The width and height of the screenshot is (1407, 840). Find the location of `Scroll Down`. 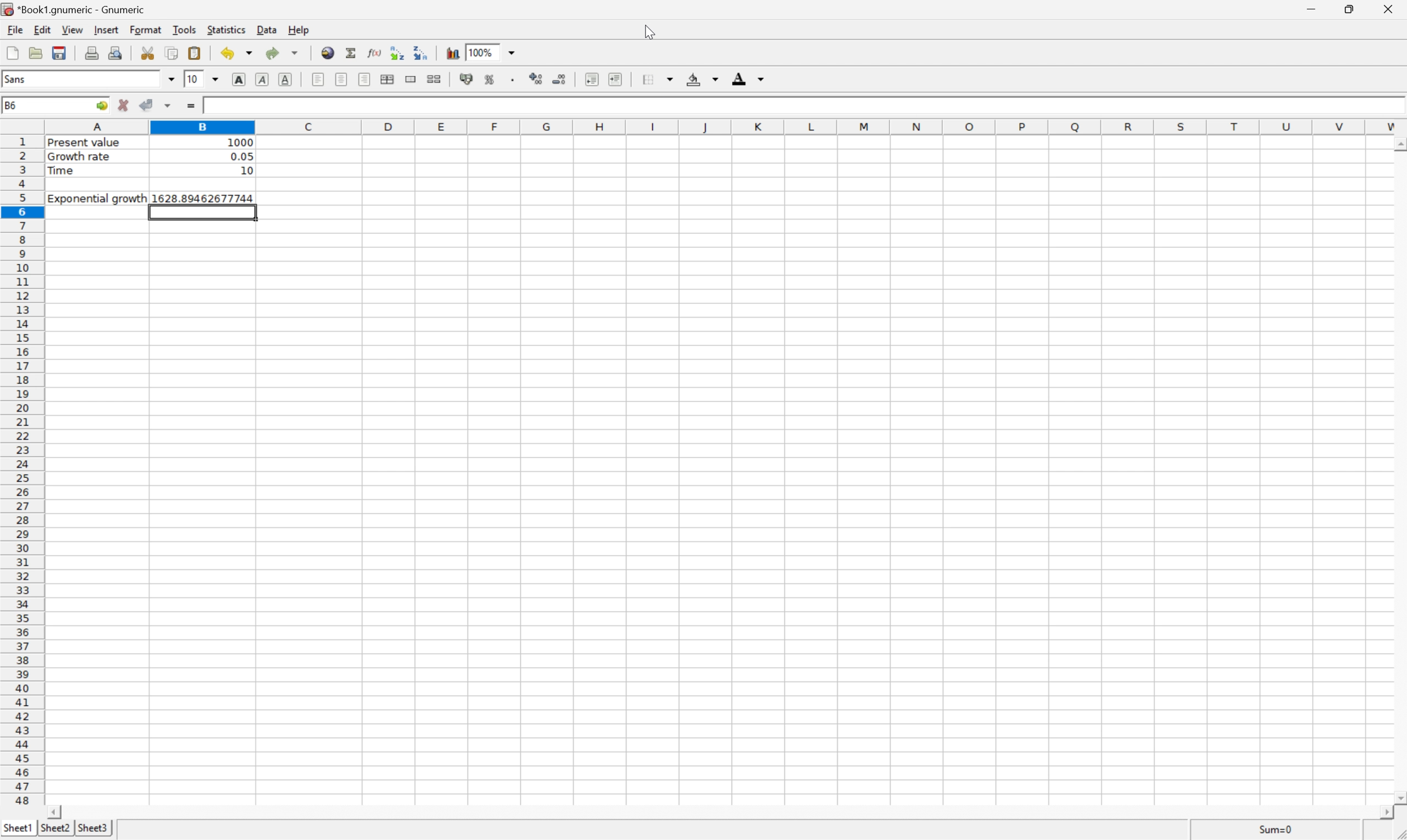

Scroll Down is located at coordinates (1398, 796).